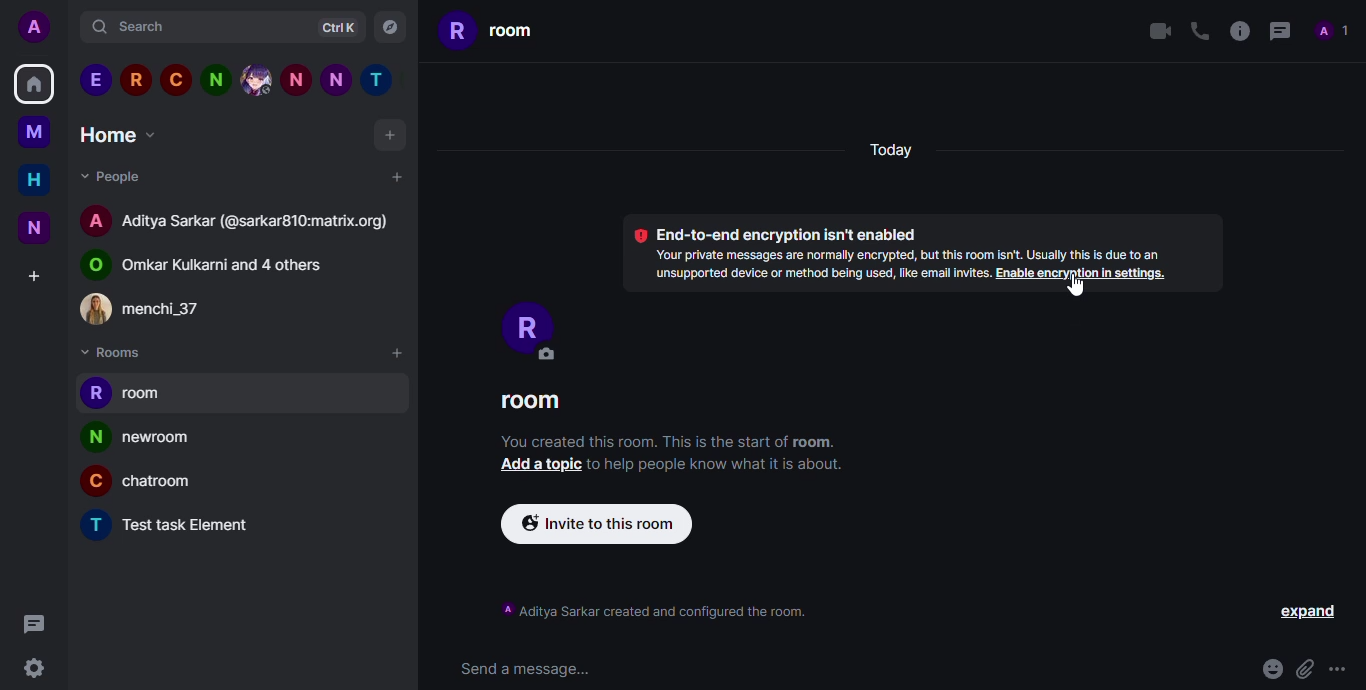  I want to click on invite button, so click(596, 523).